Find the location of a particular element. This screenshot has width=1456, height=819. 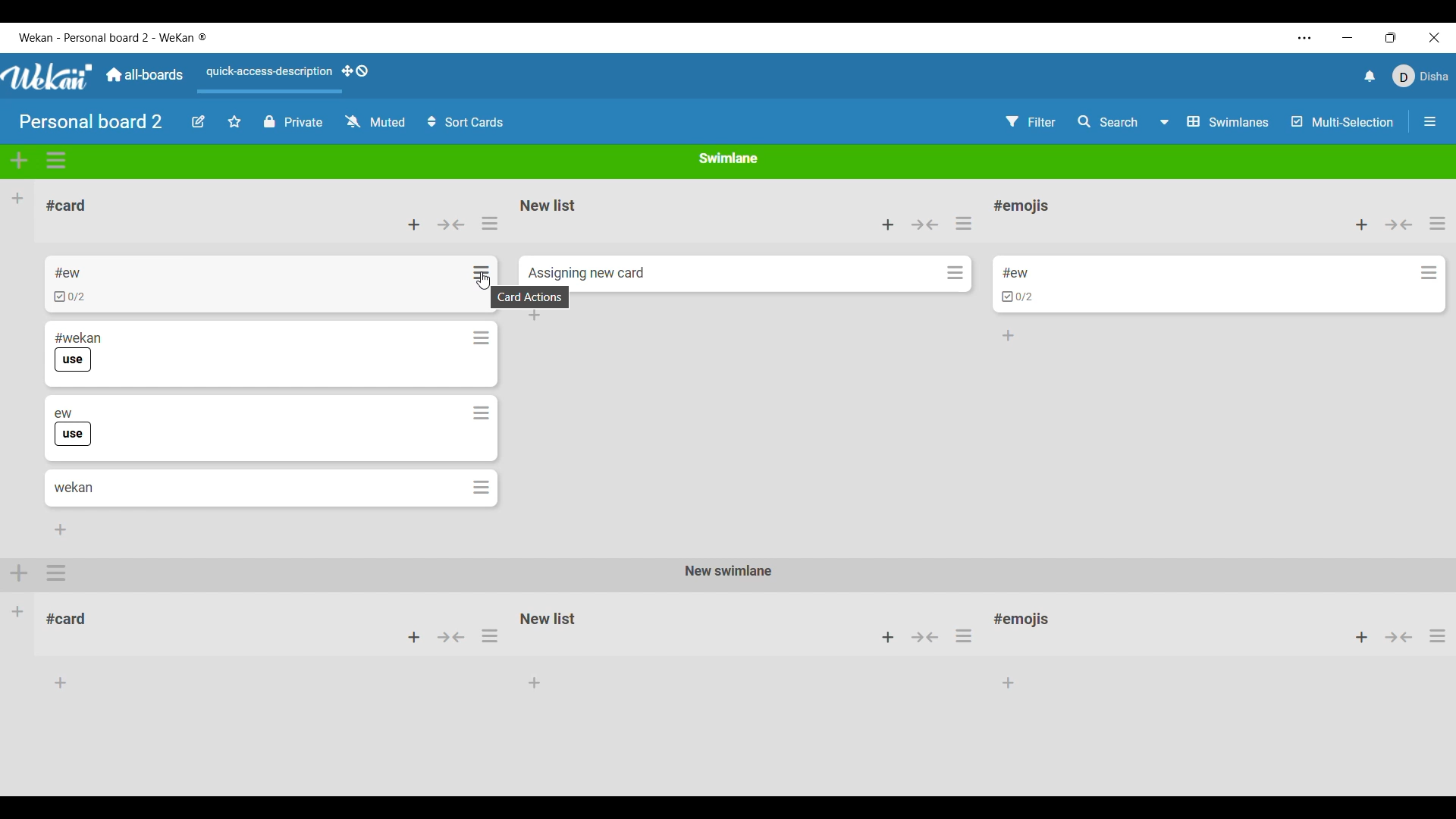

options is located at coordinates (1437, 641).